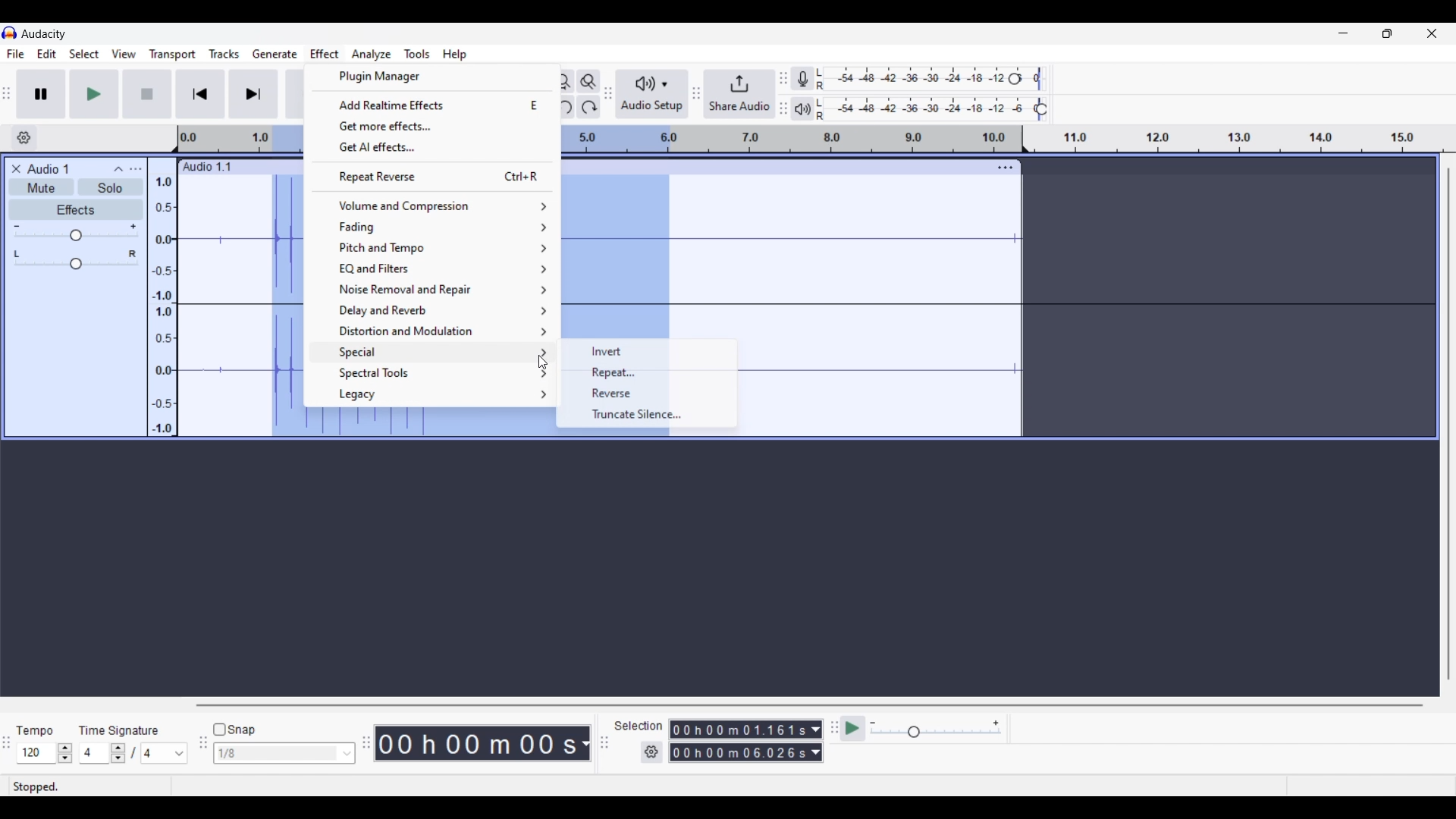  What do you see at coordinates (118, 169) in the screenshot?
I see `Collapse` at bounding box center [118, 169].